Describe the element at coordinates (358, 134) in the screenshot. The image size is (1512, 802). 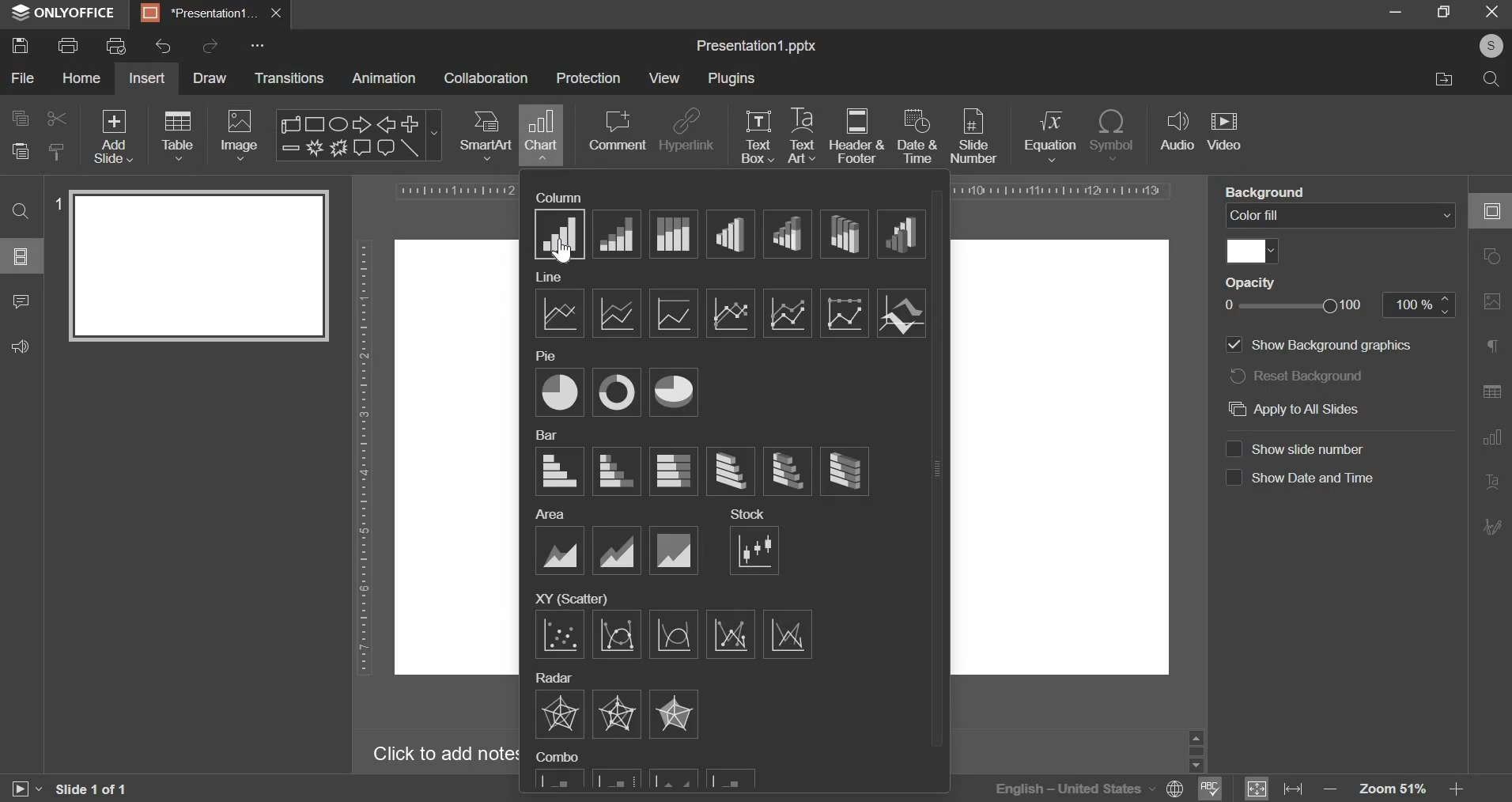
I see `shapes` at that location.